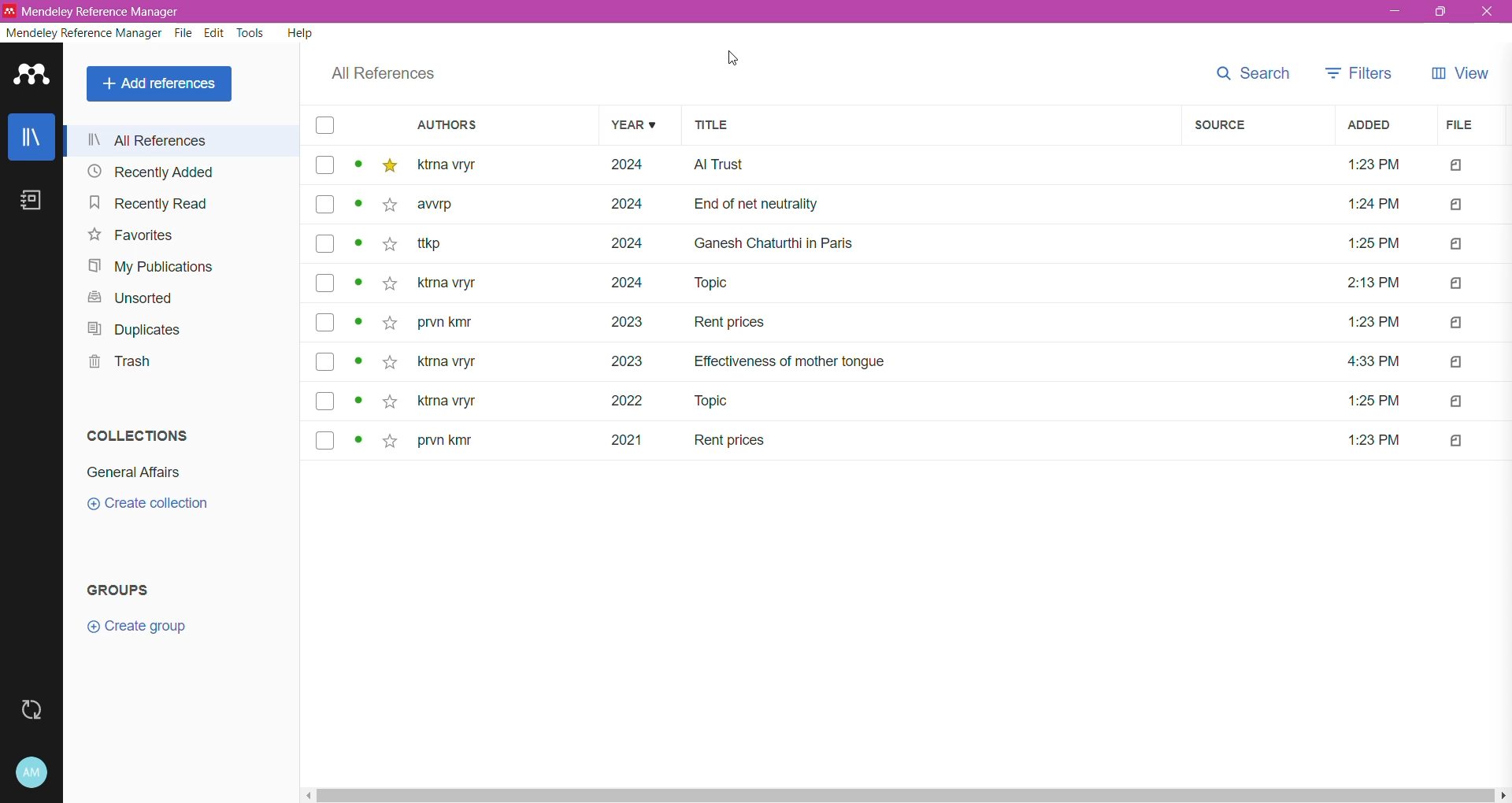 Image resolution: width=1512 pixels, height=803 pixels. Describe the element at coordinates (214, 34) in the screenshot. I see `Edit` at that location.